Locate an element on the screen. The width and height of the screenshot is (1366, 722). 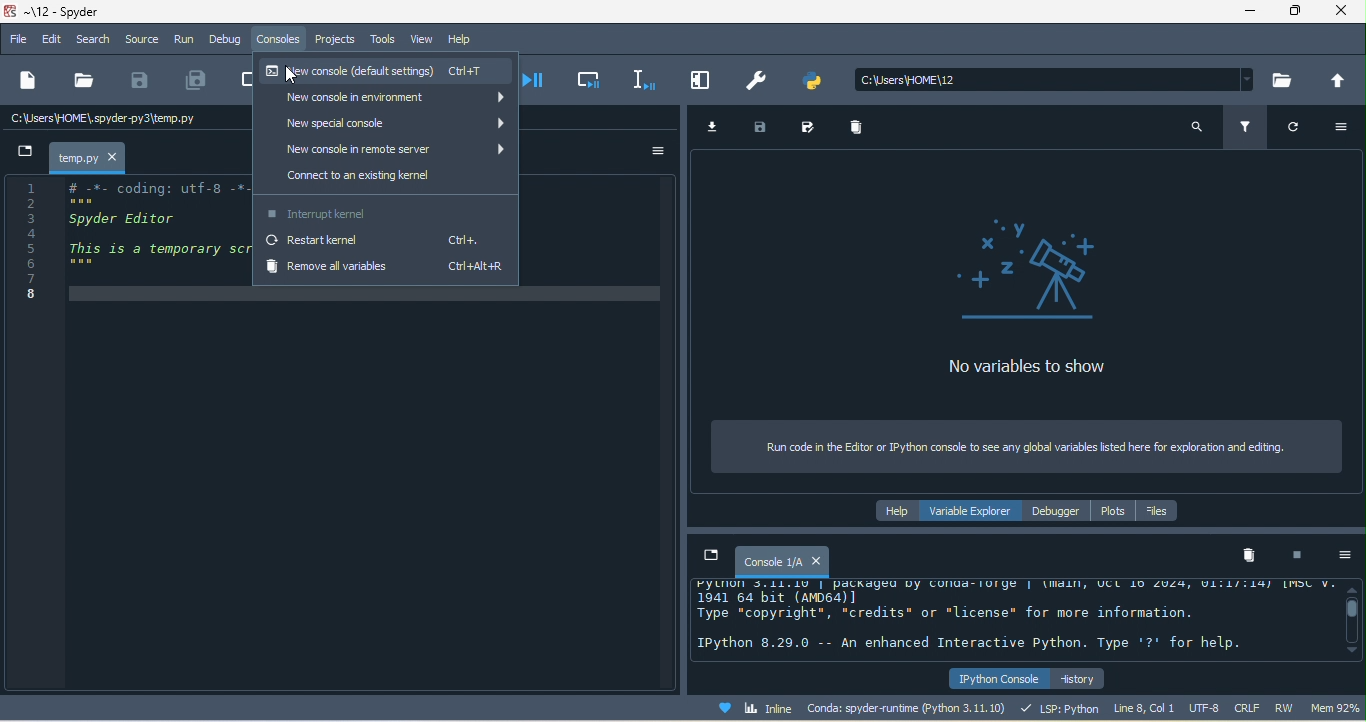
rw is located at coordinates (1282, 707).